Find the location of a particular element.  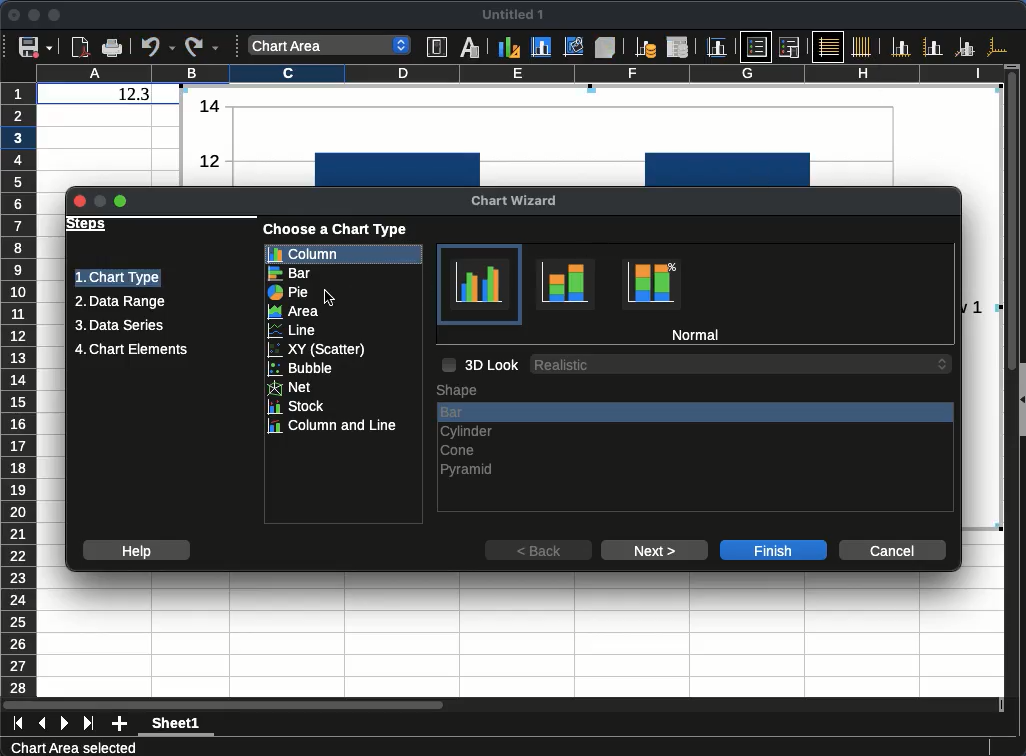

Print is located at coordinates (112, 48).